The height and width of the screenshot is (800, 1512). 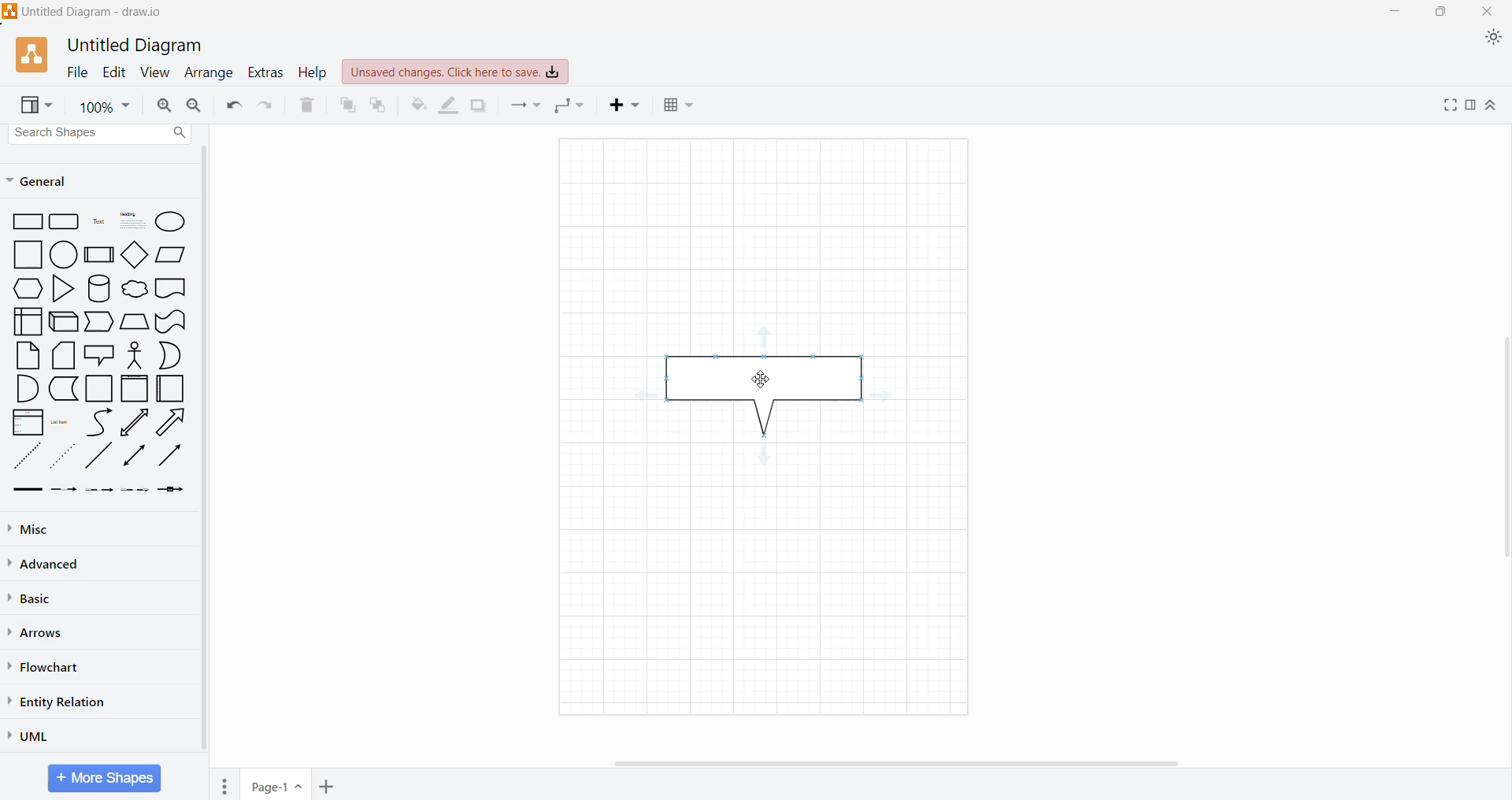 What do you see at coordinates (102, 133) in the screenshot?
I see `Search Shapes` at bounding box center [102, 133].